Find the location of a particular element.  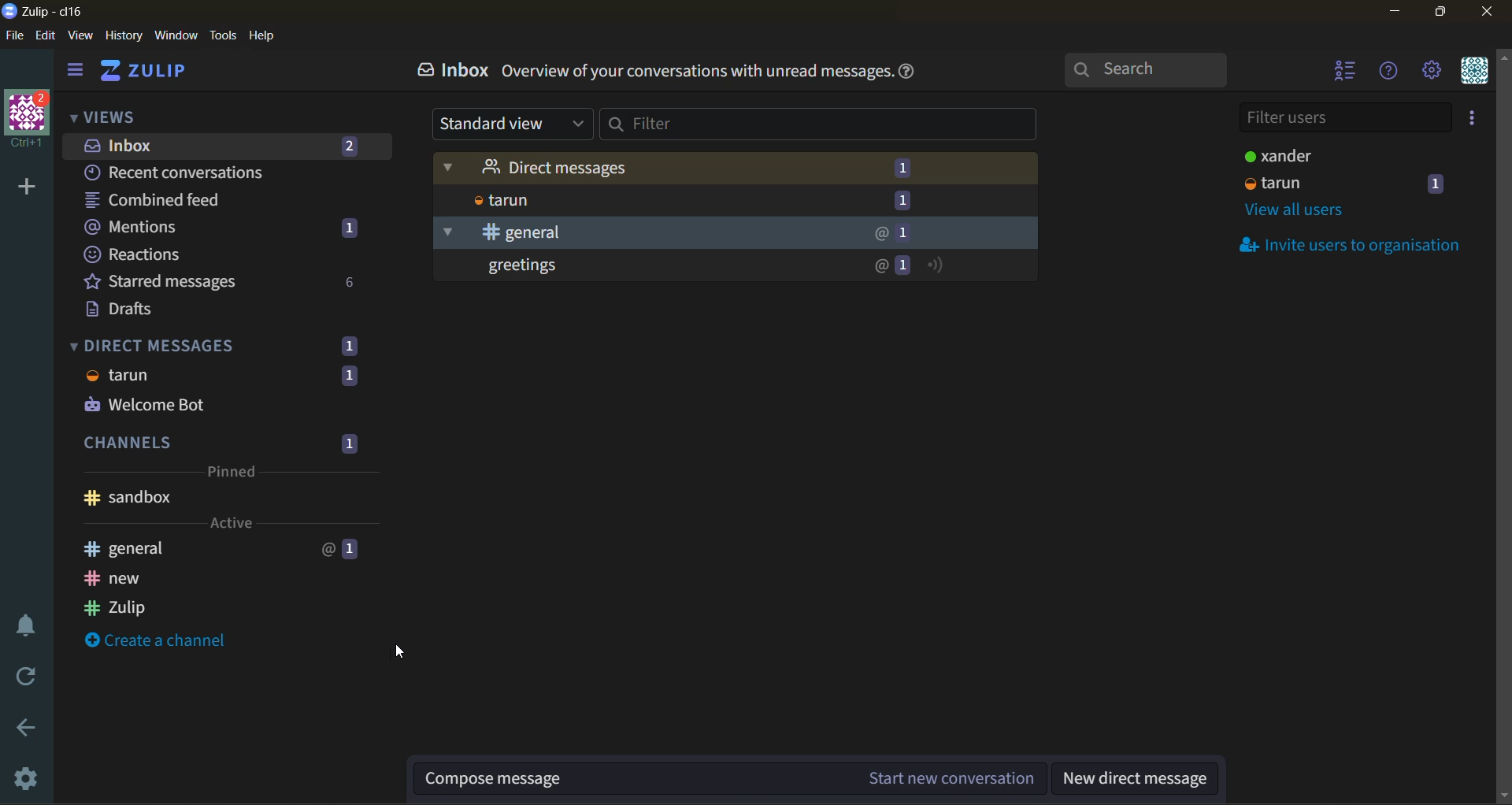

go back is located at coordinates (24, 727).